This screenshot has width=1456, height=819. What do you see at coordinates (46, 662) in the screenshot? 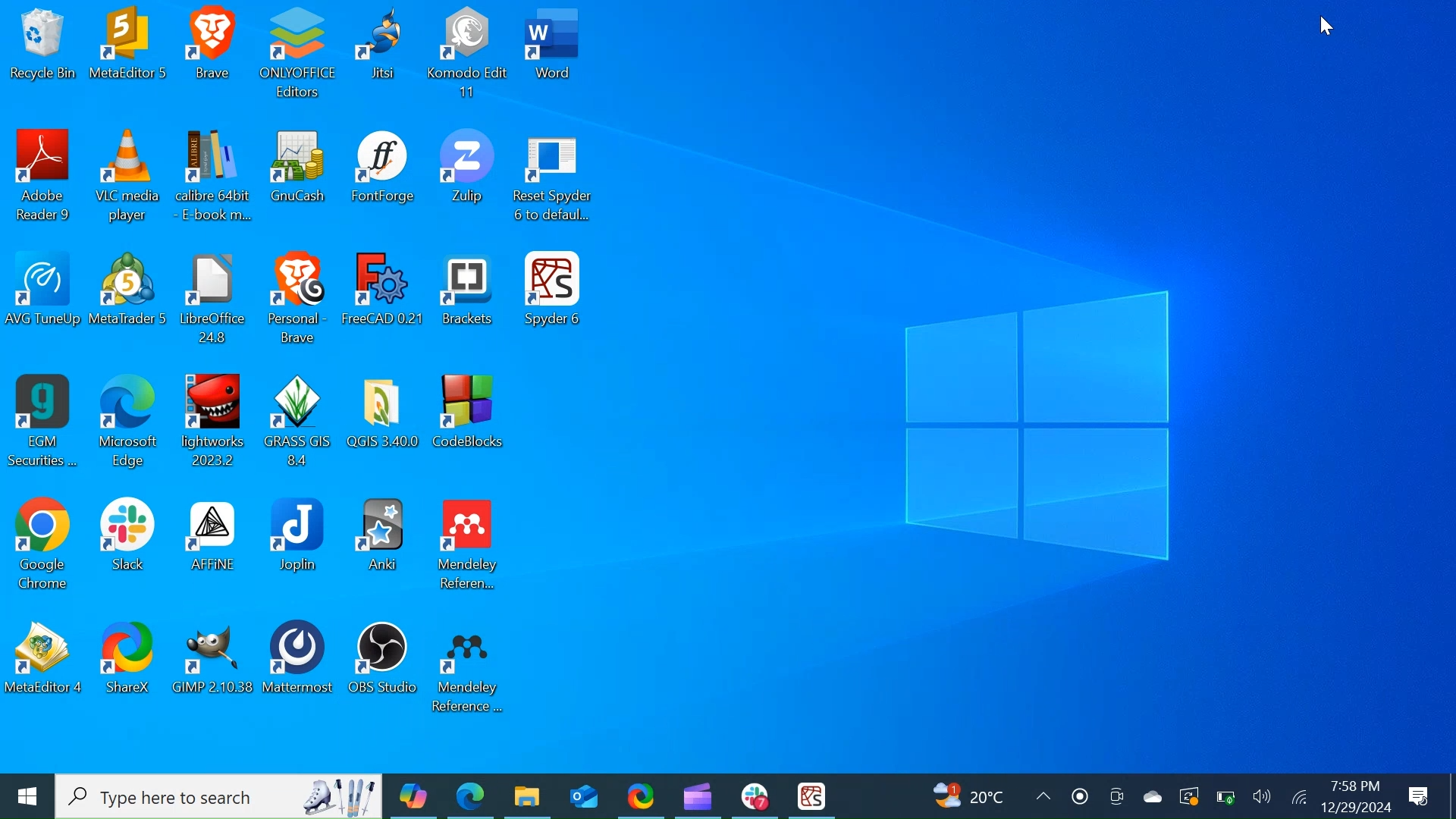
I see `Meta Desktop icon` at bounding box center [46, 662].